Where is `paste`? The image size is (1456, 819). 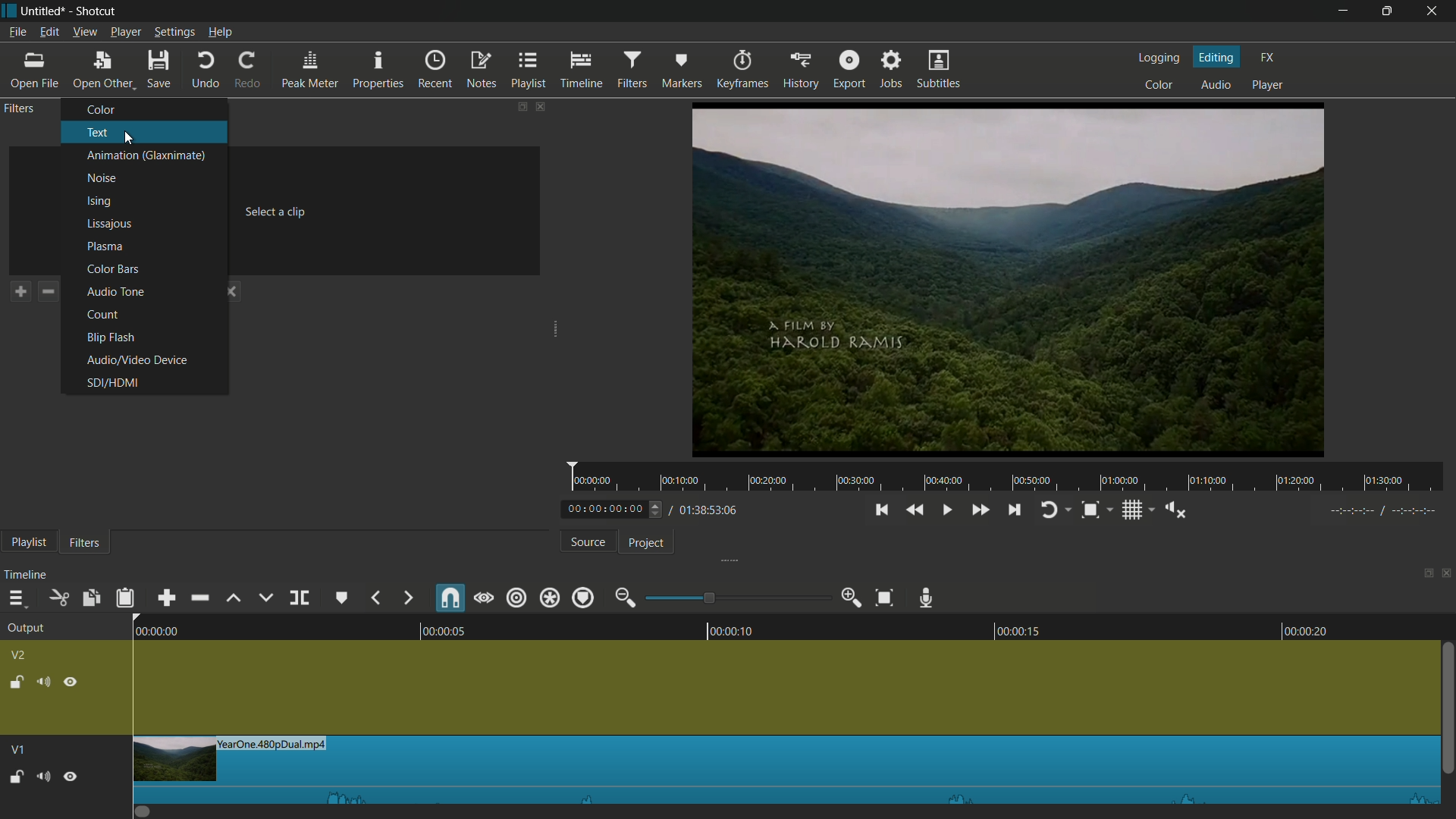
paste is located at coordinates (124, 597).